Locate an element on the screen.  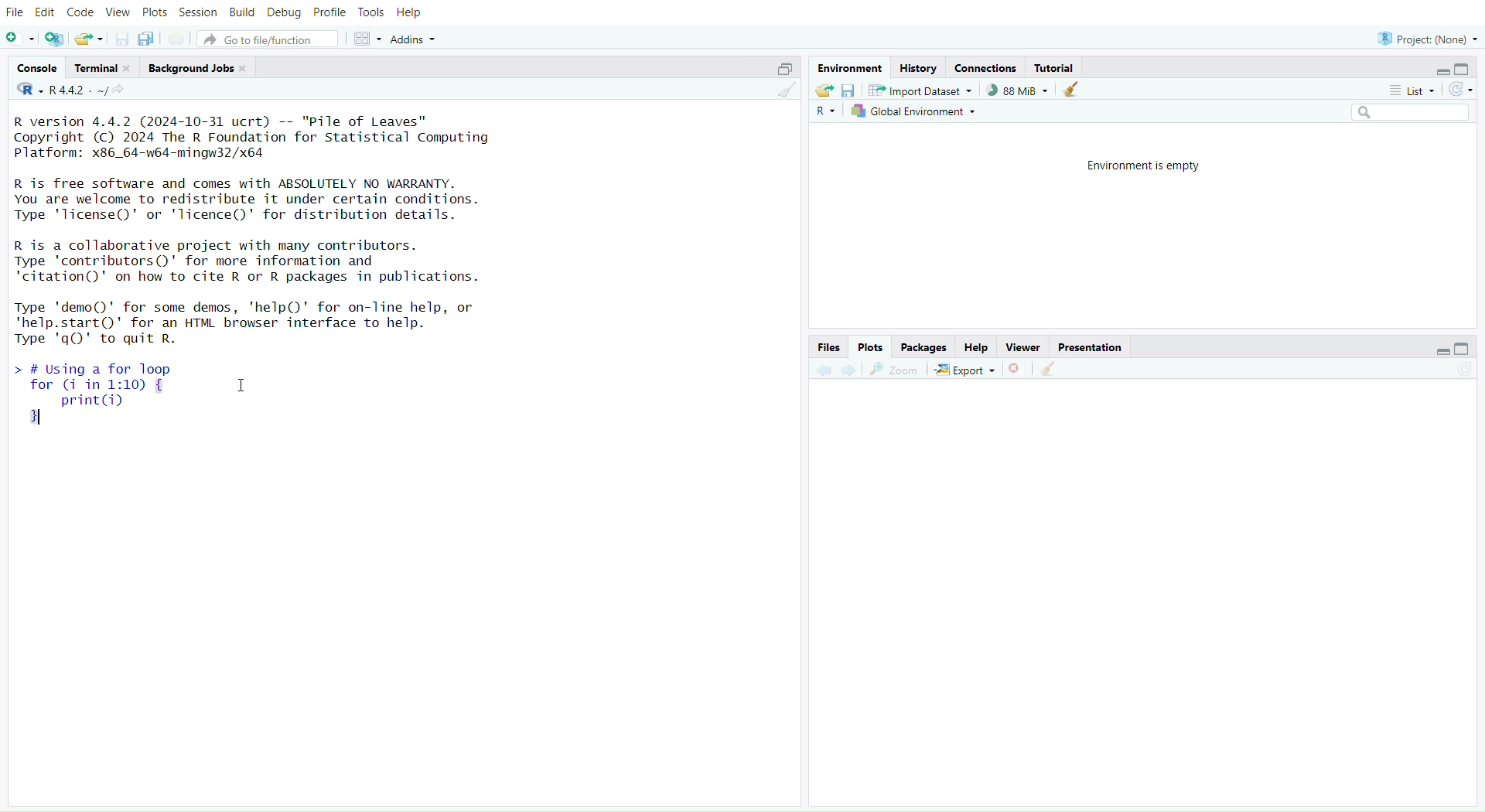
forward is located at coordinates (852, 370).